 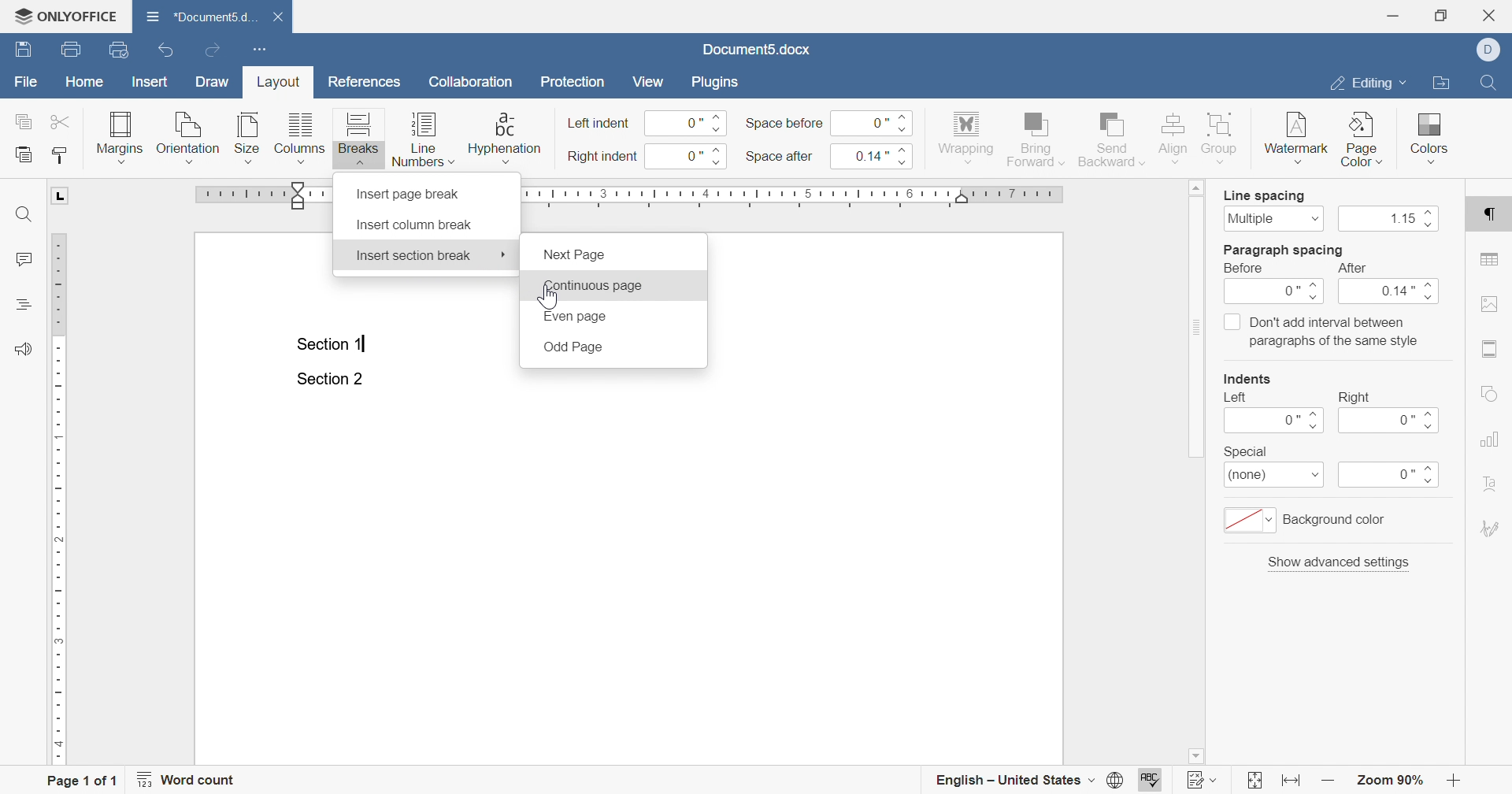 What do you see at coordinates (190, 779) in the screenshot?
I see `word count` at bounding box center [190, 779].